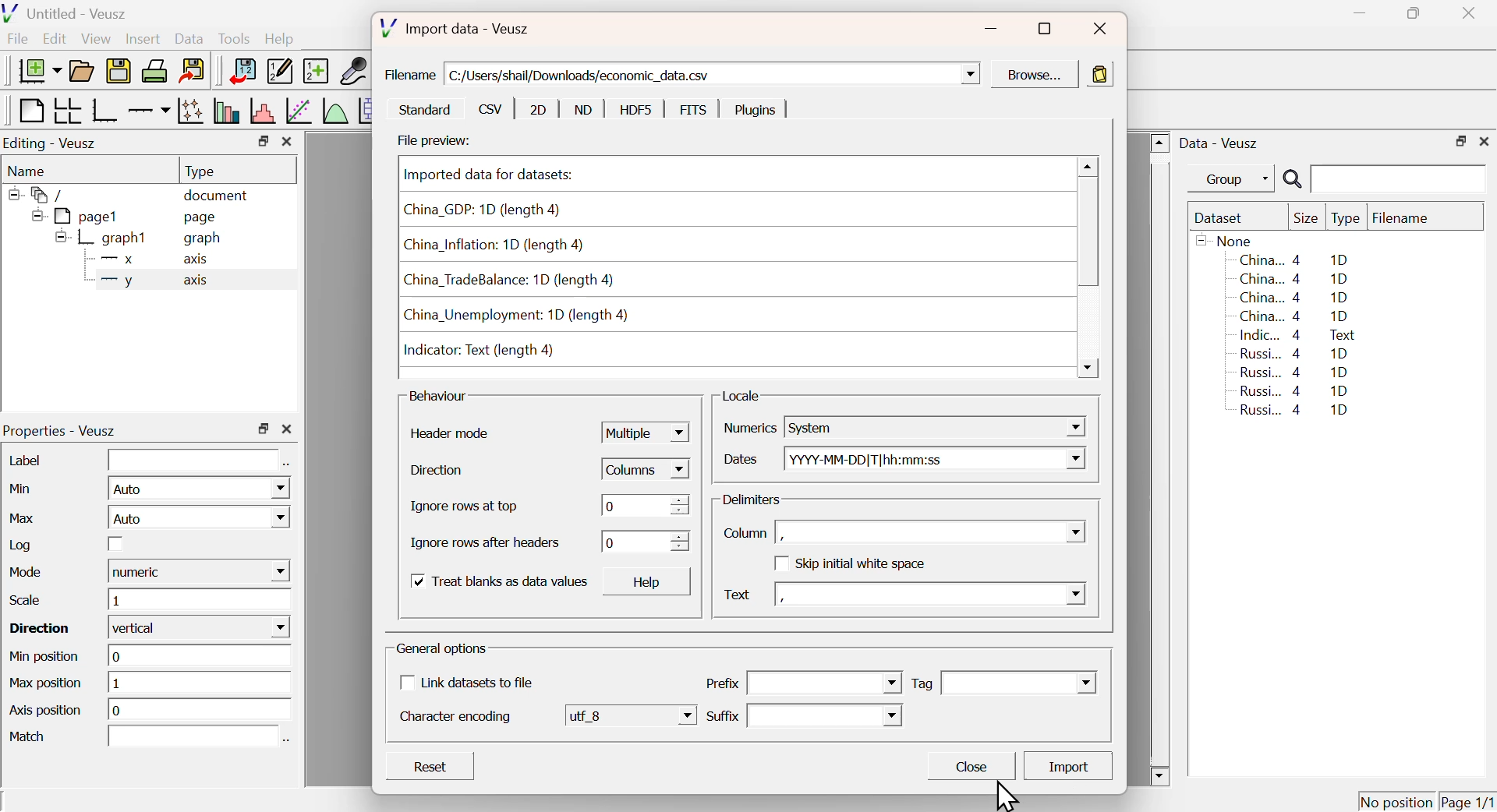 The height and width of the screenshot is (812, 1497). I want to click on General options, so click(441, 649).